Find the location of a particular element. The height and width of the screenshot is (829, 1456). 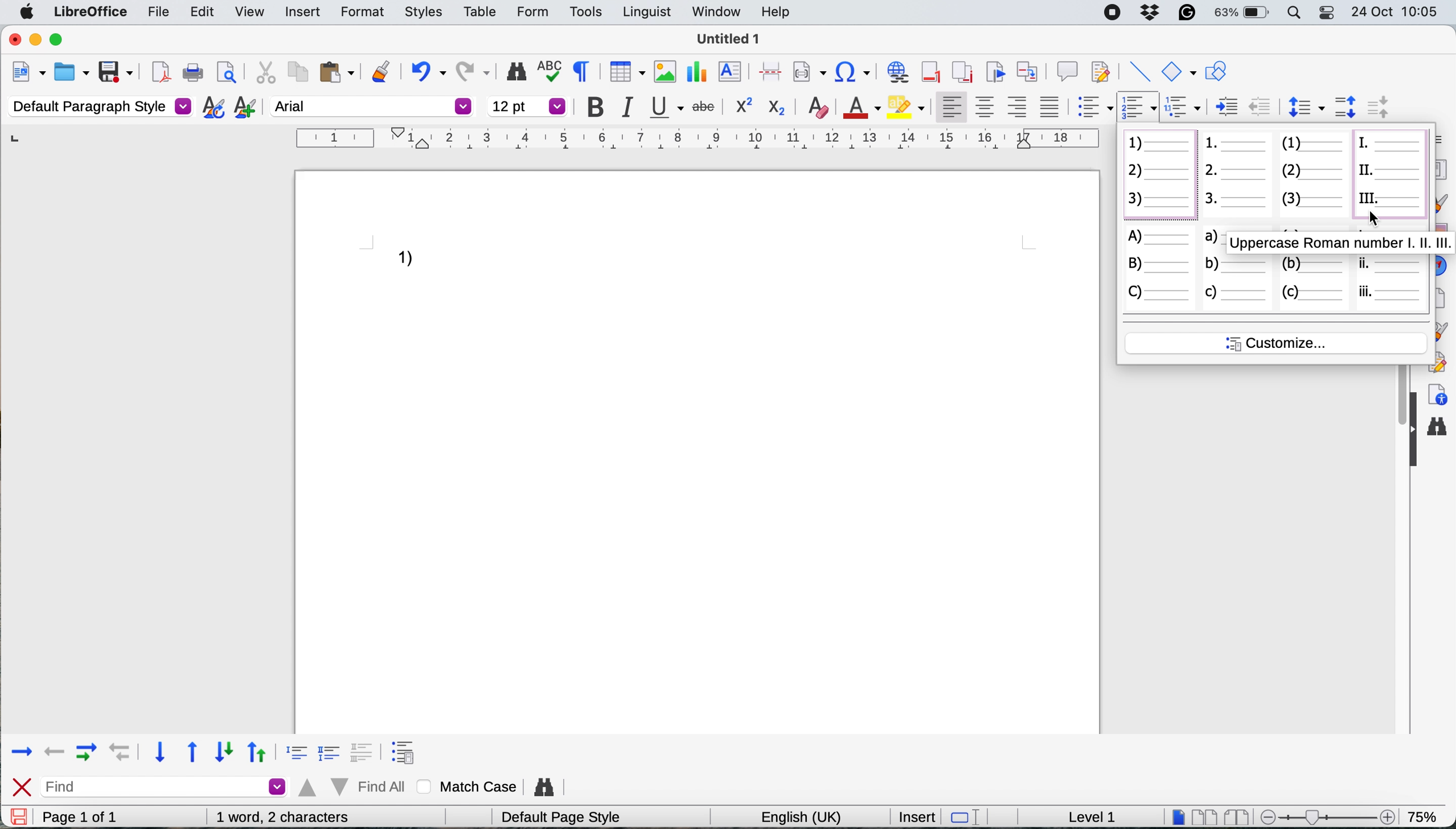

copy is located at coordinates (296, 71).